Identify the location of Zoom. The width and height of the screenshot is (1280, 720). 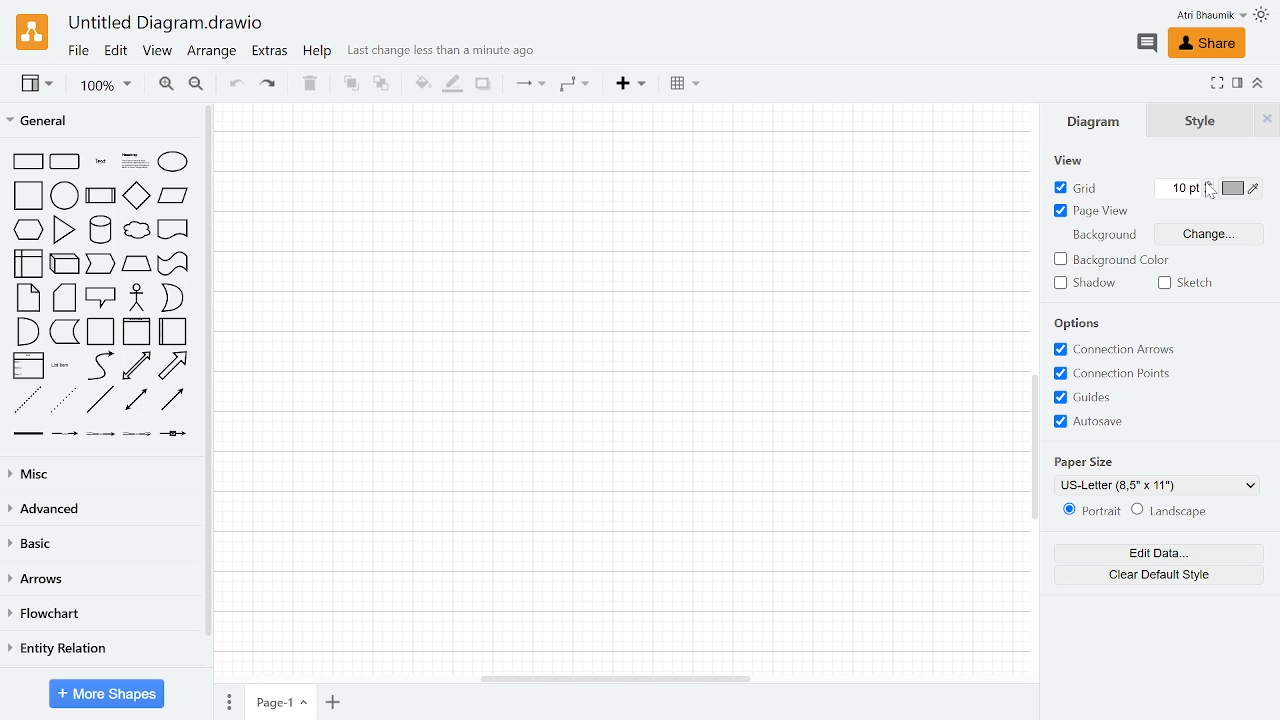
(105, 86).